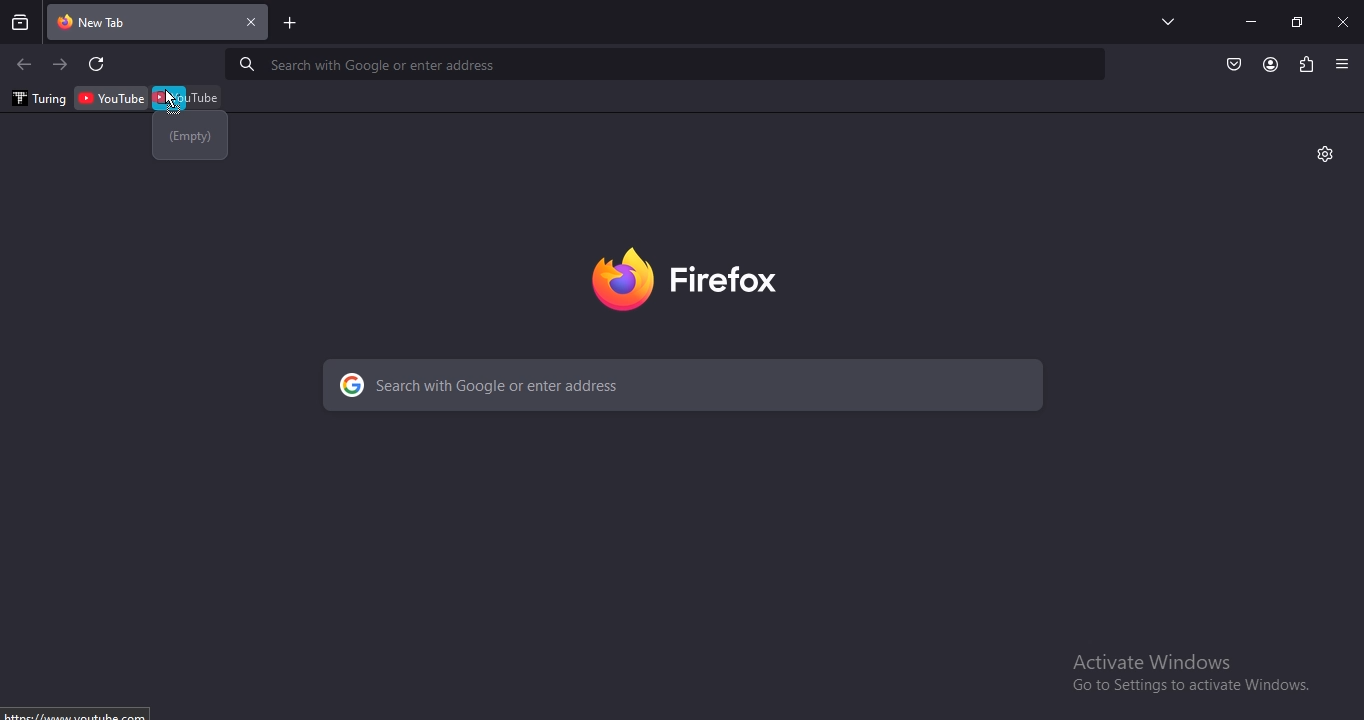 The height and width of the screenshot is (720, 1364). What do you see at coordinates (683, 276) in the screenshot?
I see `firebox` at bounding box center [683, 276].